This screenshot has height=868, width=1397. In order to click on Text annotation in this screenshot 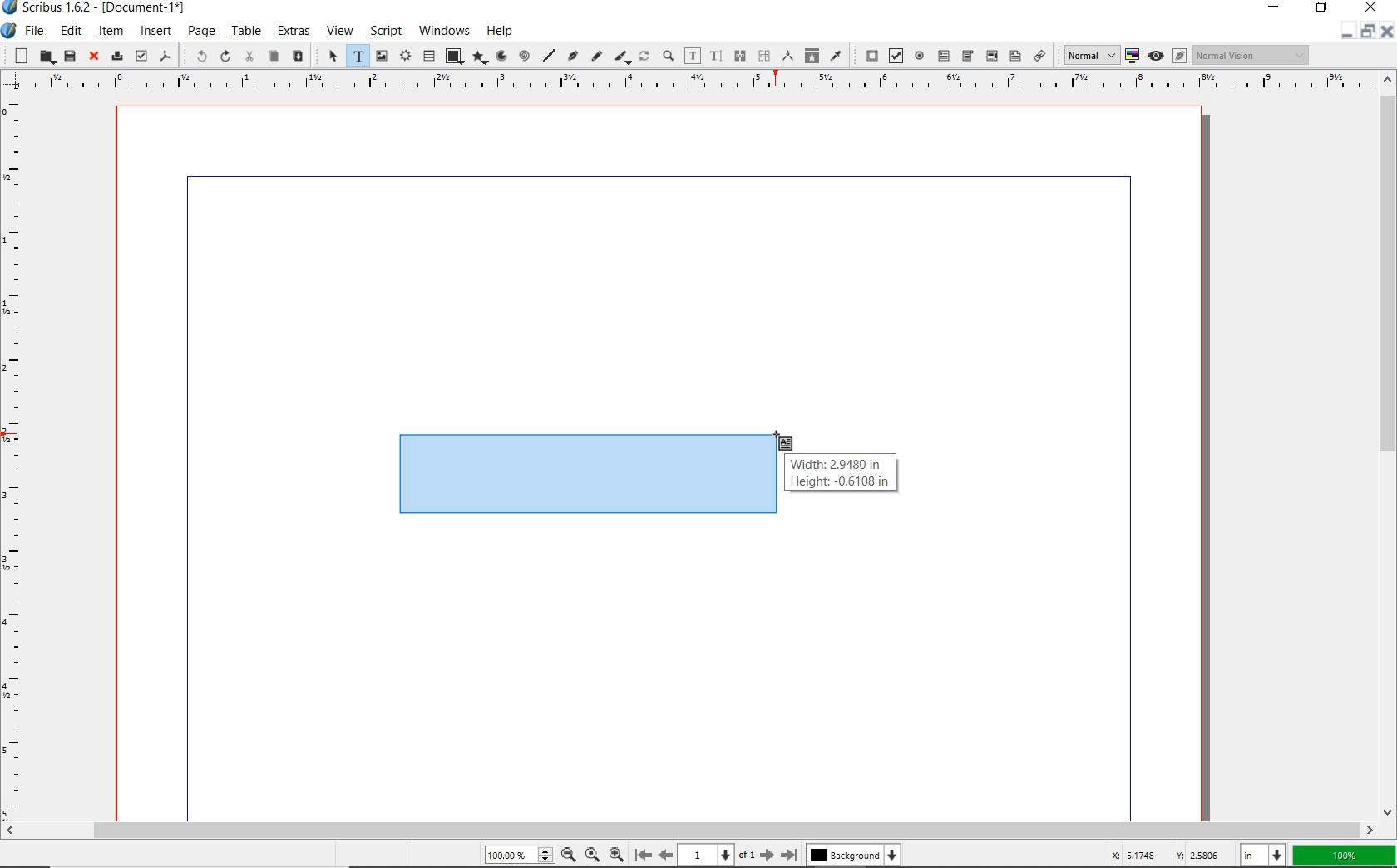, I will do `click(1014, 57)`.